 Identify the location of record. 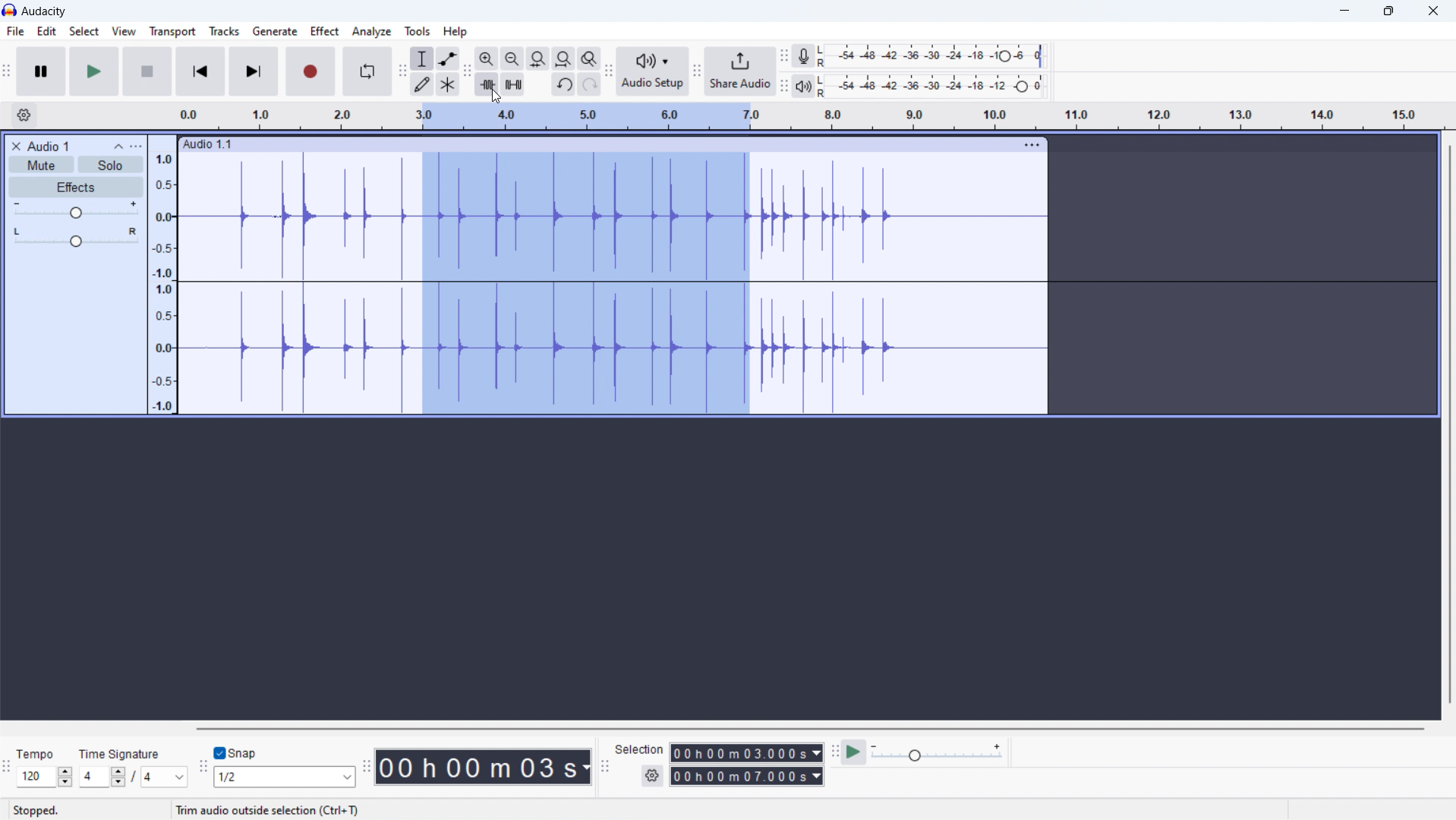
(310, 71).